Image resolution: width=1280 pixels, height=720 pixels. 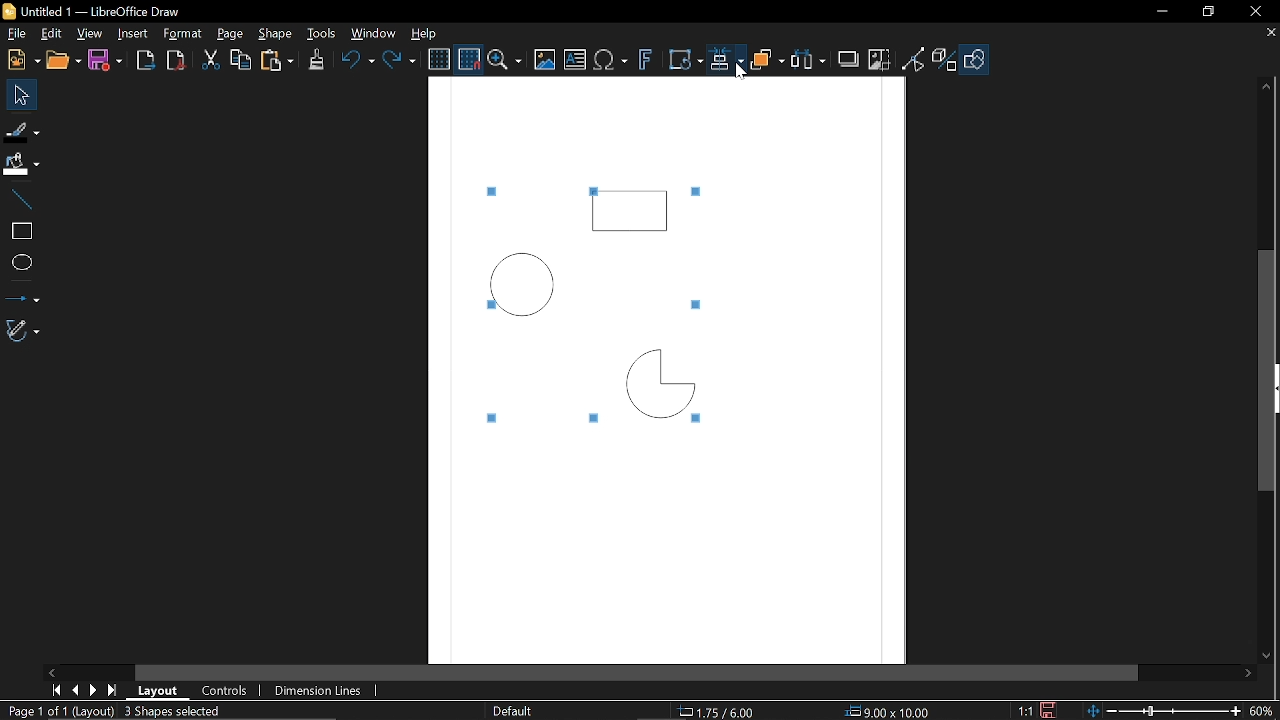 I want to click on Curves and polygons, so click(x=22, y=331).